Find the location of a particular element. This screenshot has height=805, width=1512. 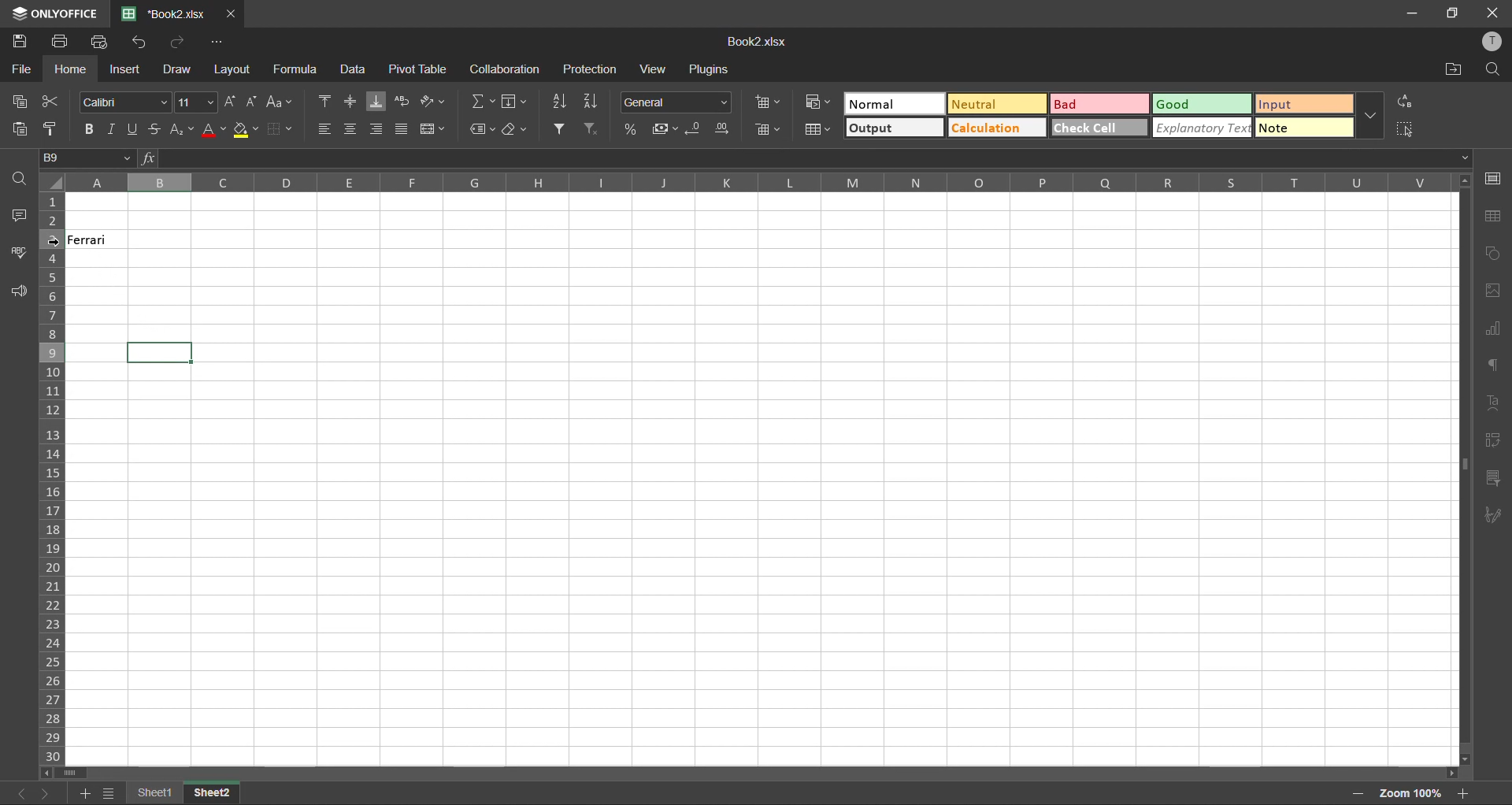

calculation is located at coordinates (1000, 127).